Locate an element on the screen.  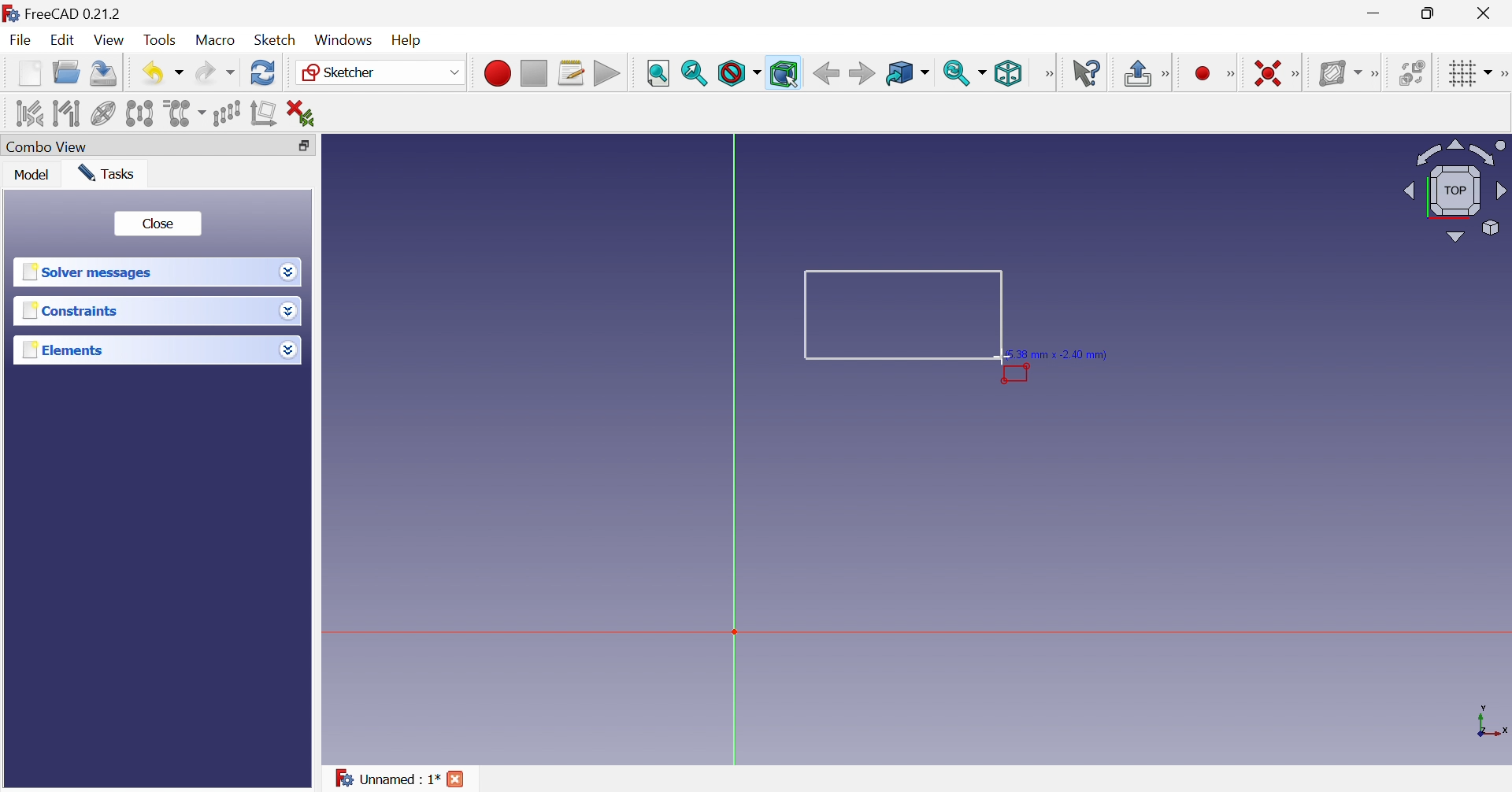
Sketch is located at coordinates (277, 39).